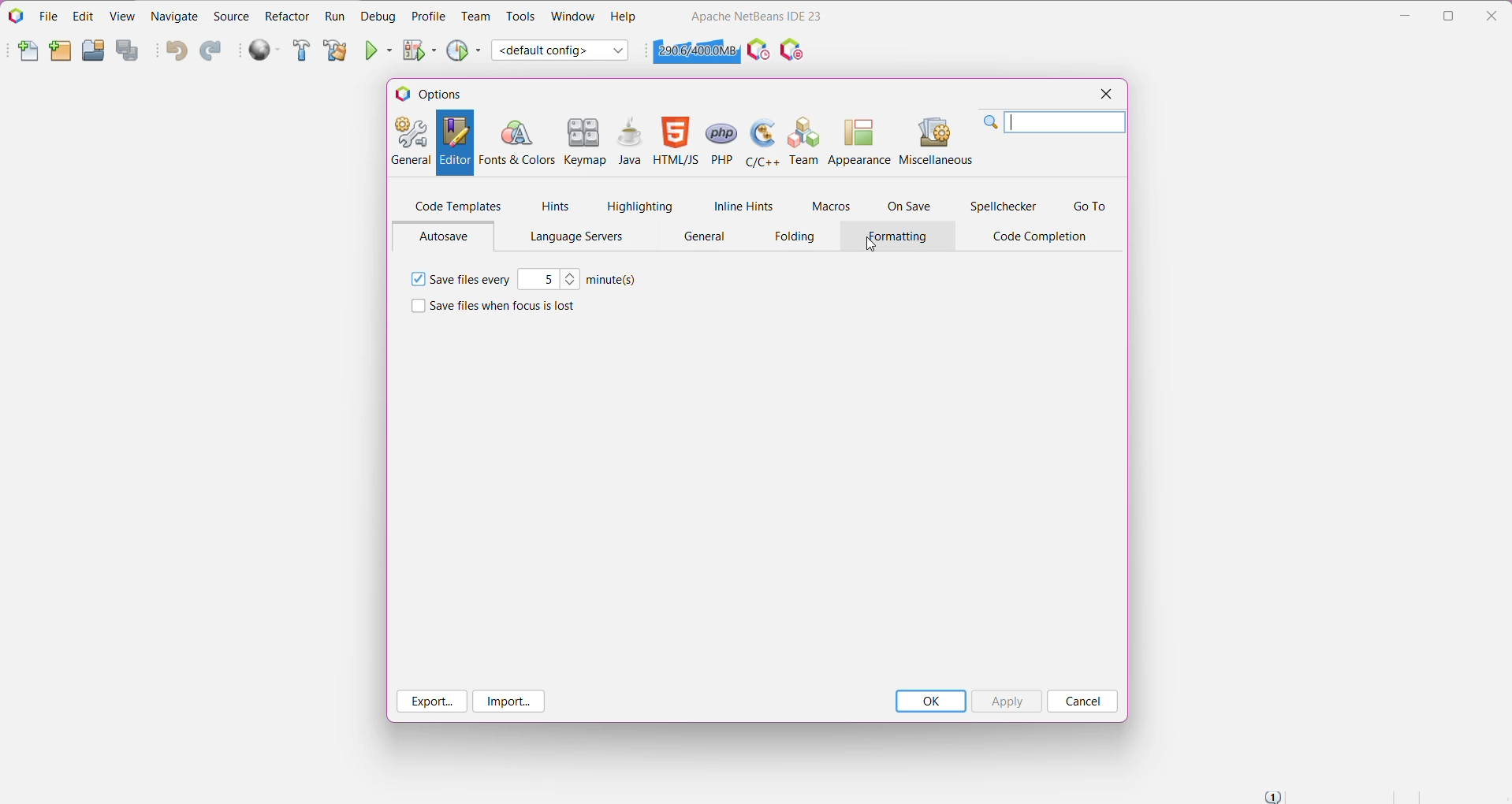  Describe the element at coordinates (410, 143) in the screenshot. I see `General` at that location.